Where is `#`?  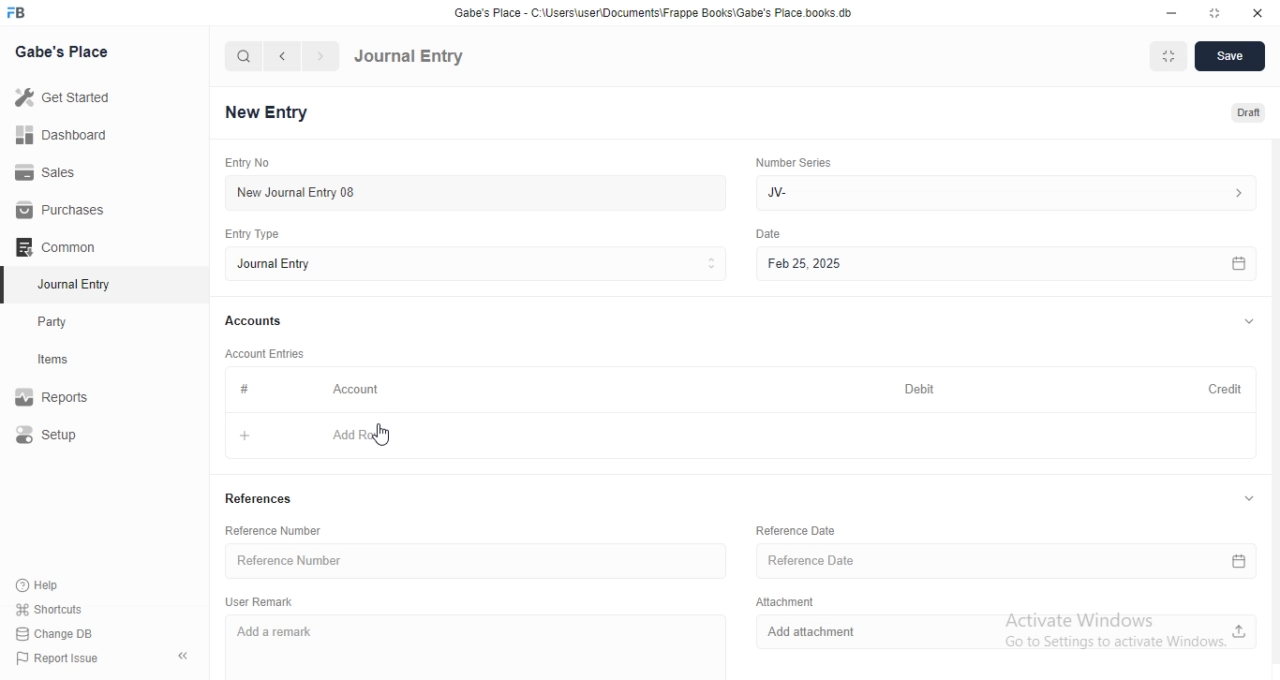 # is located at coordinates (243, 390).